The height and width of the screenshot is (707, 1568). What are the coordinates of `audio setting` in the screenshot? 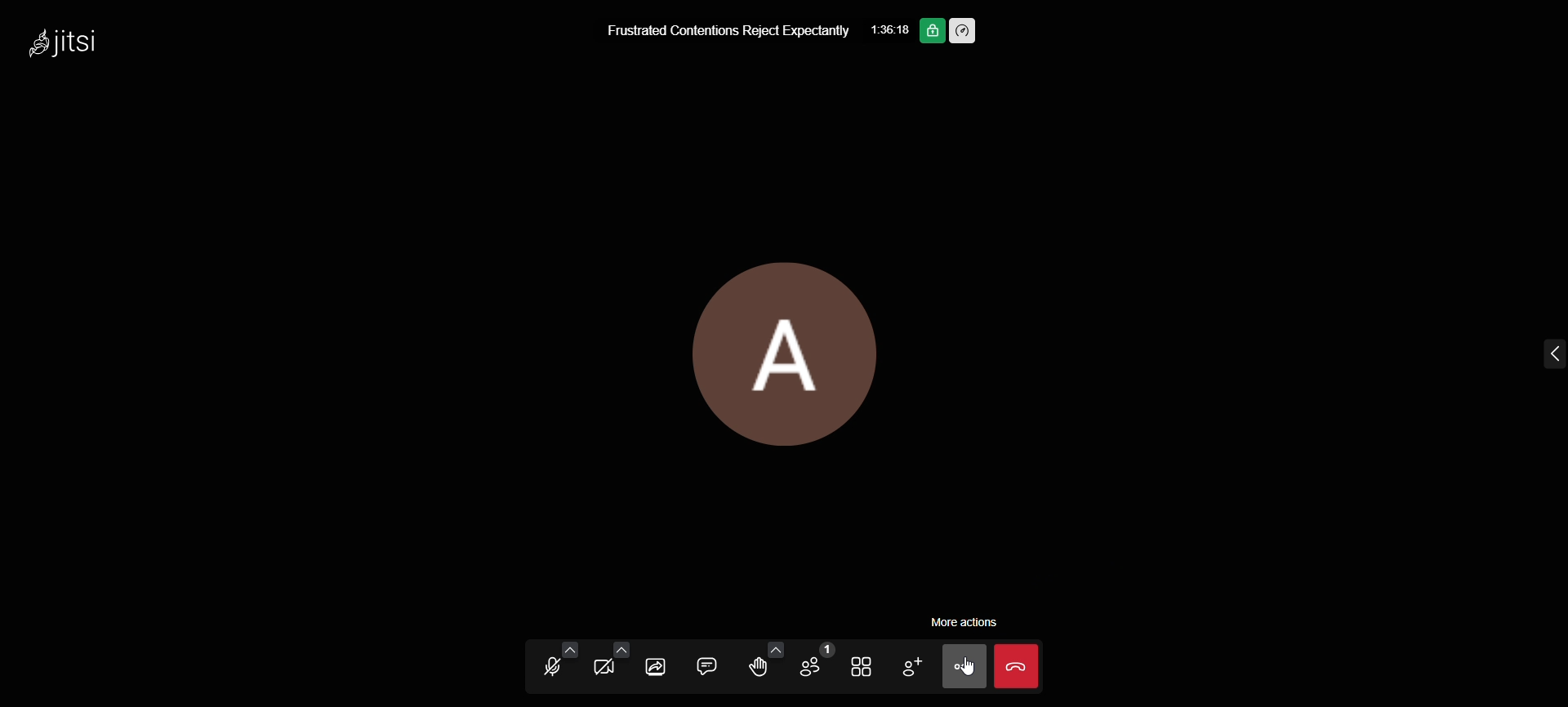 It's located at (568, 648).